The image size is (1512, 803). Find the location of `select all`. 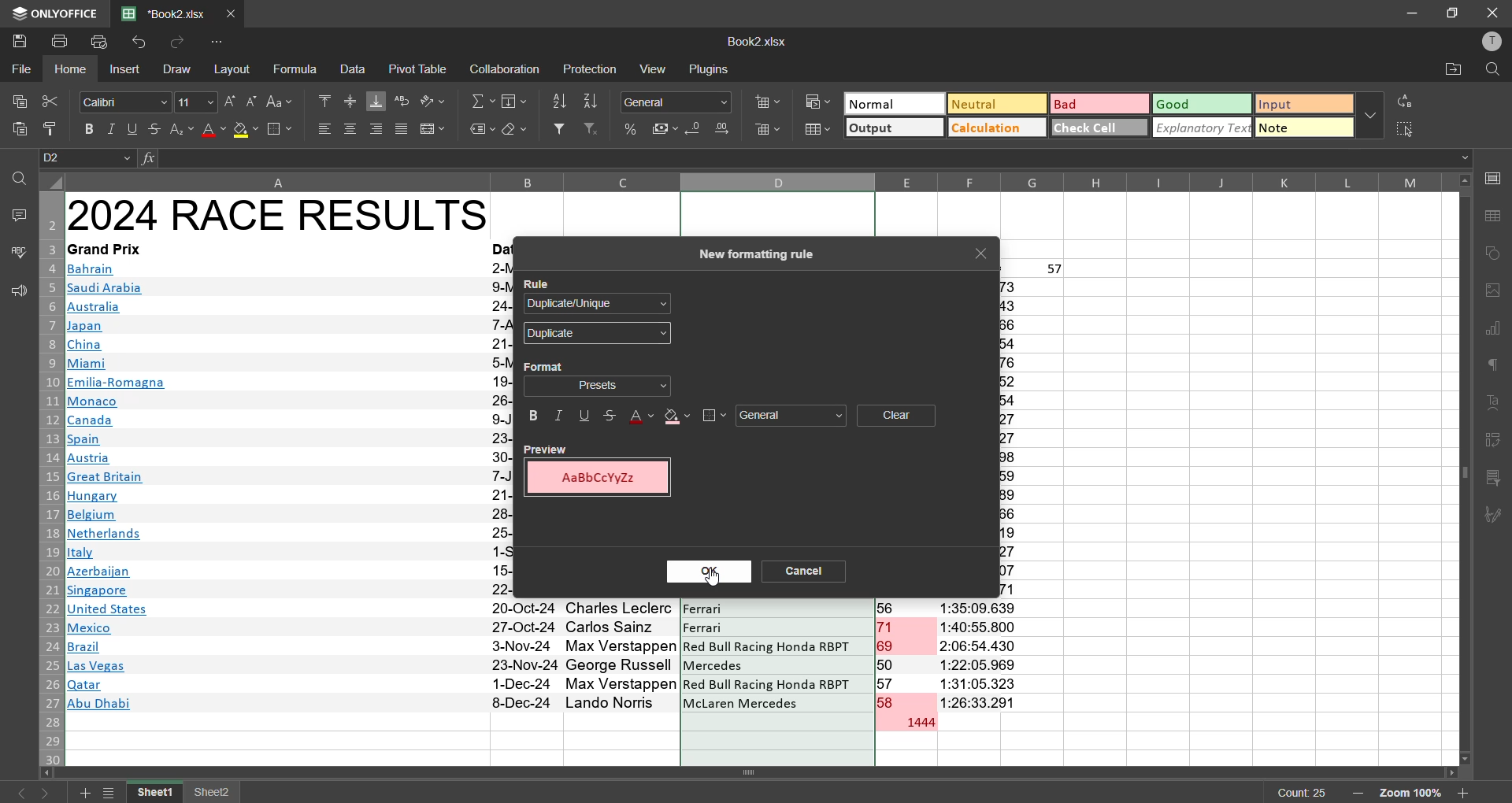

select all is located at coordinates (1406, 128).